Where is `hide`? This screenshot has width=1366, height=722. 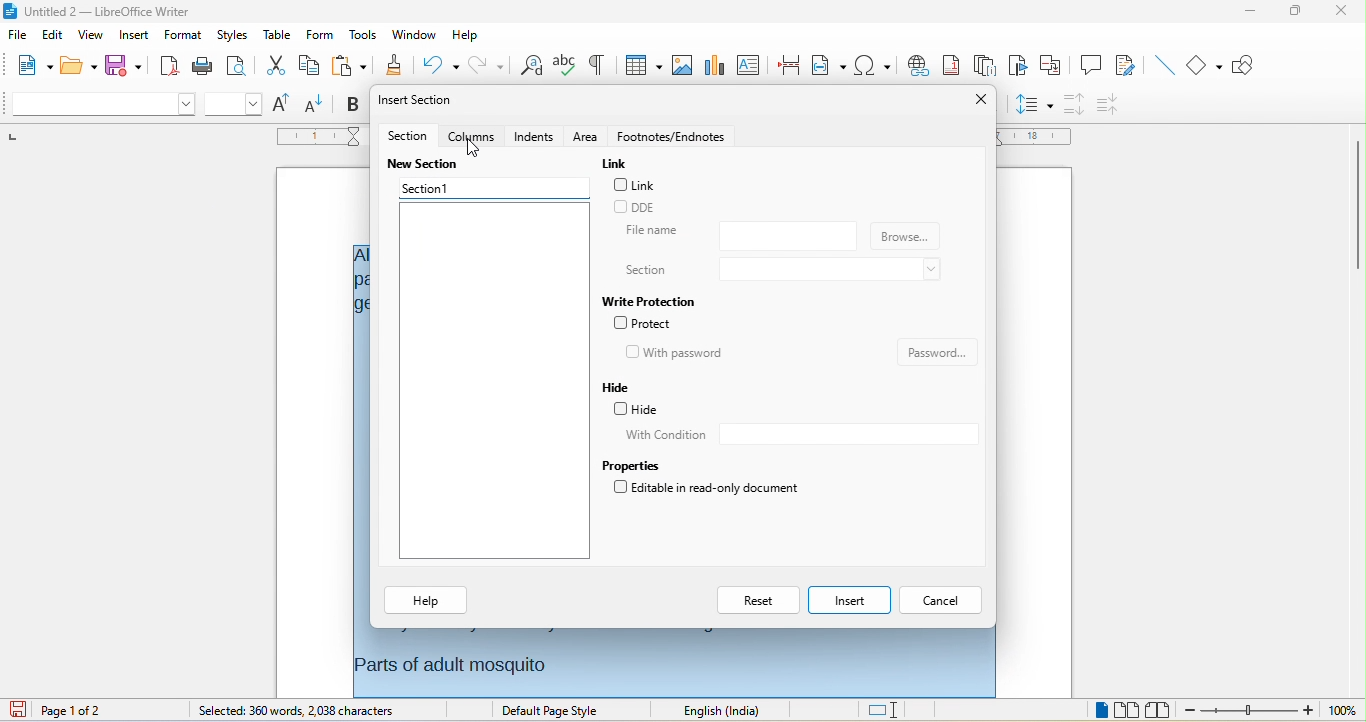
hide is located at coordinates (644, 407).